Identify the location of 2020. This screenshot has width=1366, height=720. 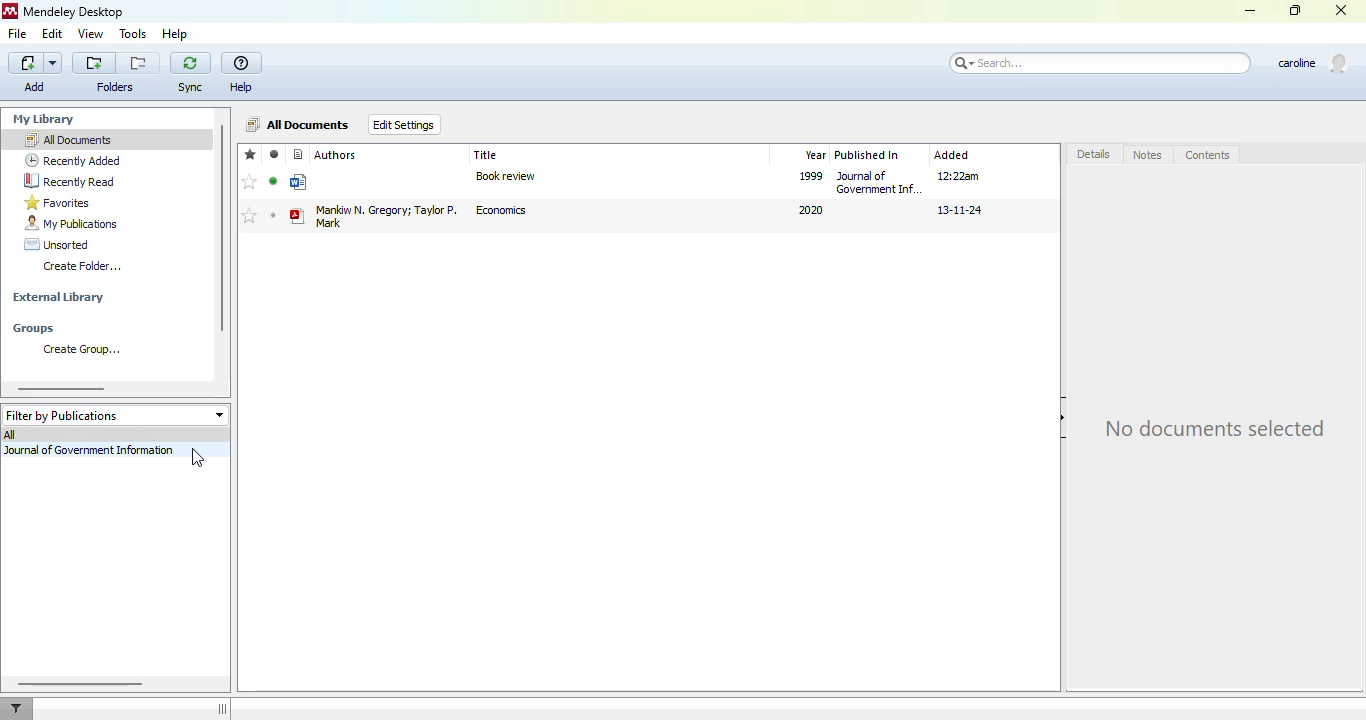
(809, 210).